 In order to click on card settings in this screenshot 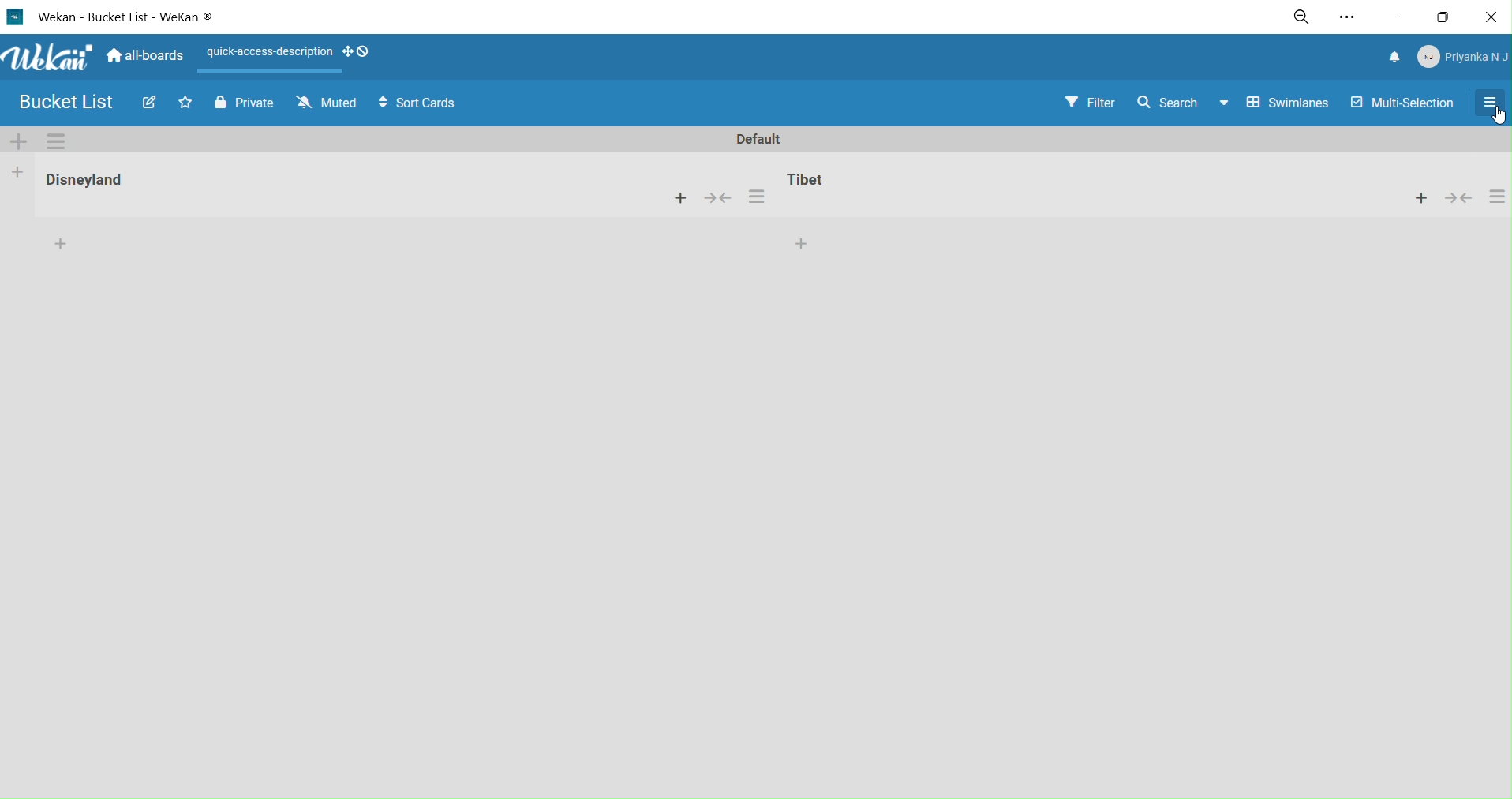, I will do `click(1499, 203)`.